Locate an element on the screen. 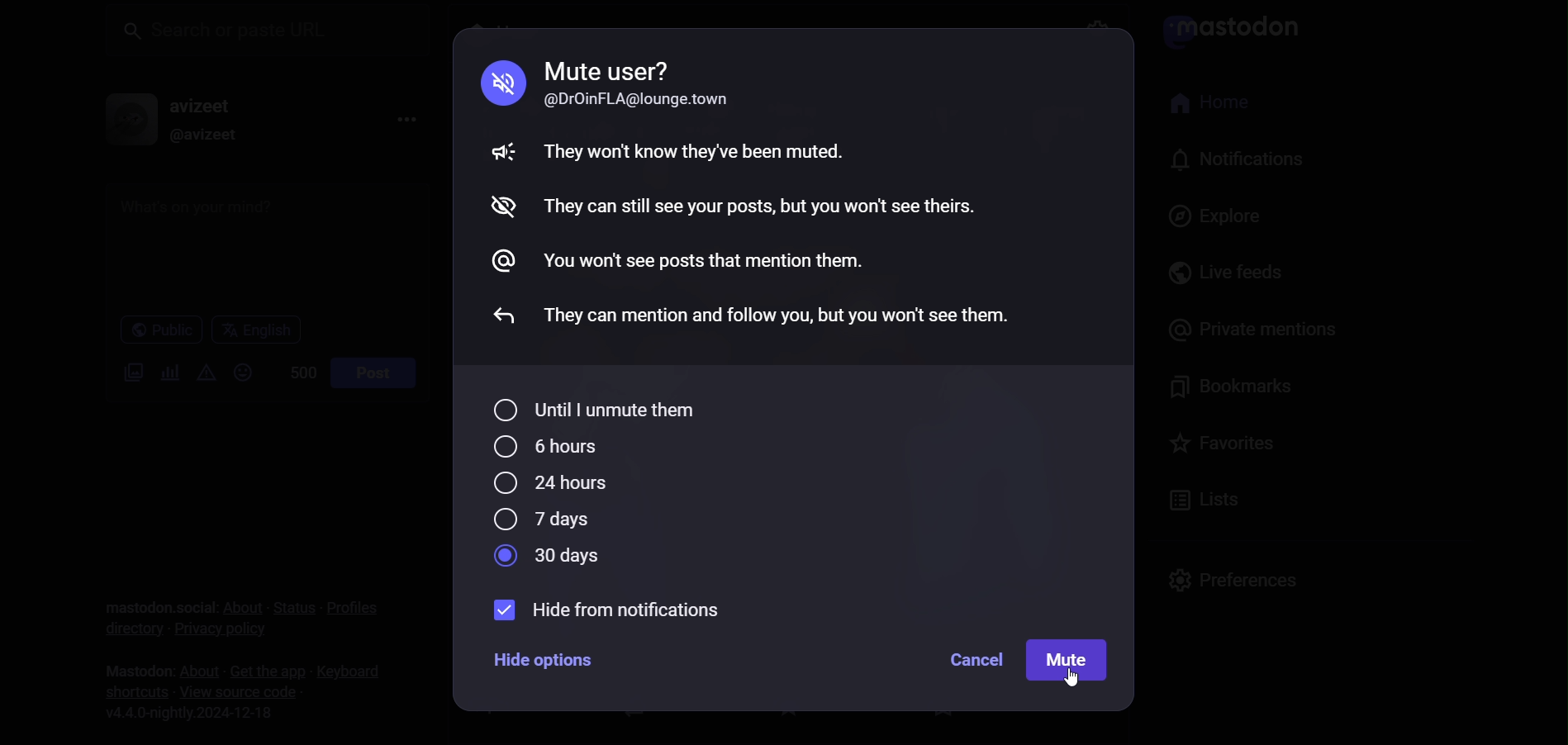  hide from notification is located at coordinates (617, 611).